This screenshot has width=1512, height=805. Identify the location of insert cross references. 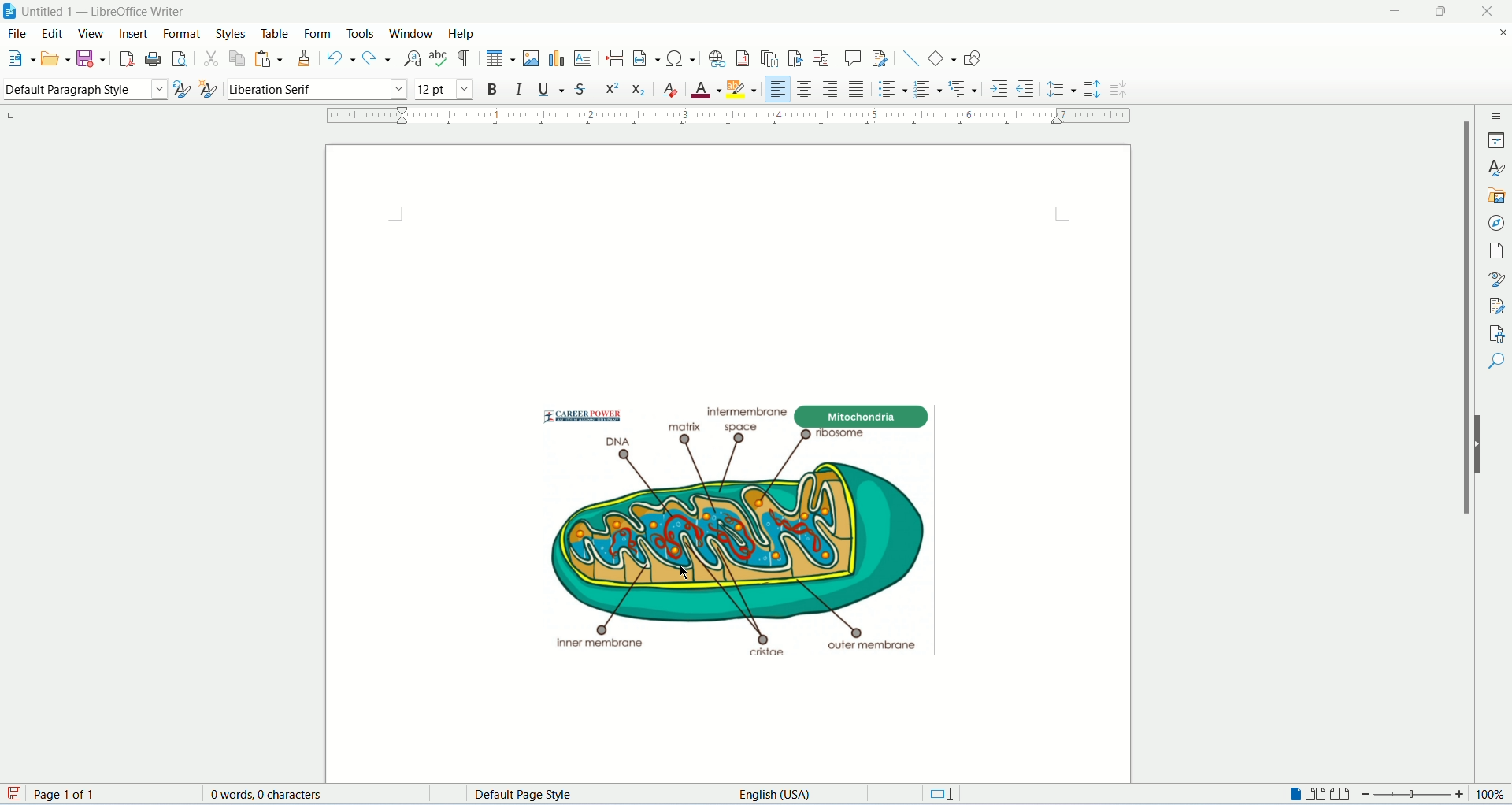
(821, 59).